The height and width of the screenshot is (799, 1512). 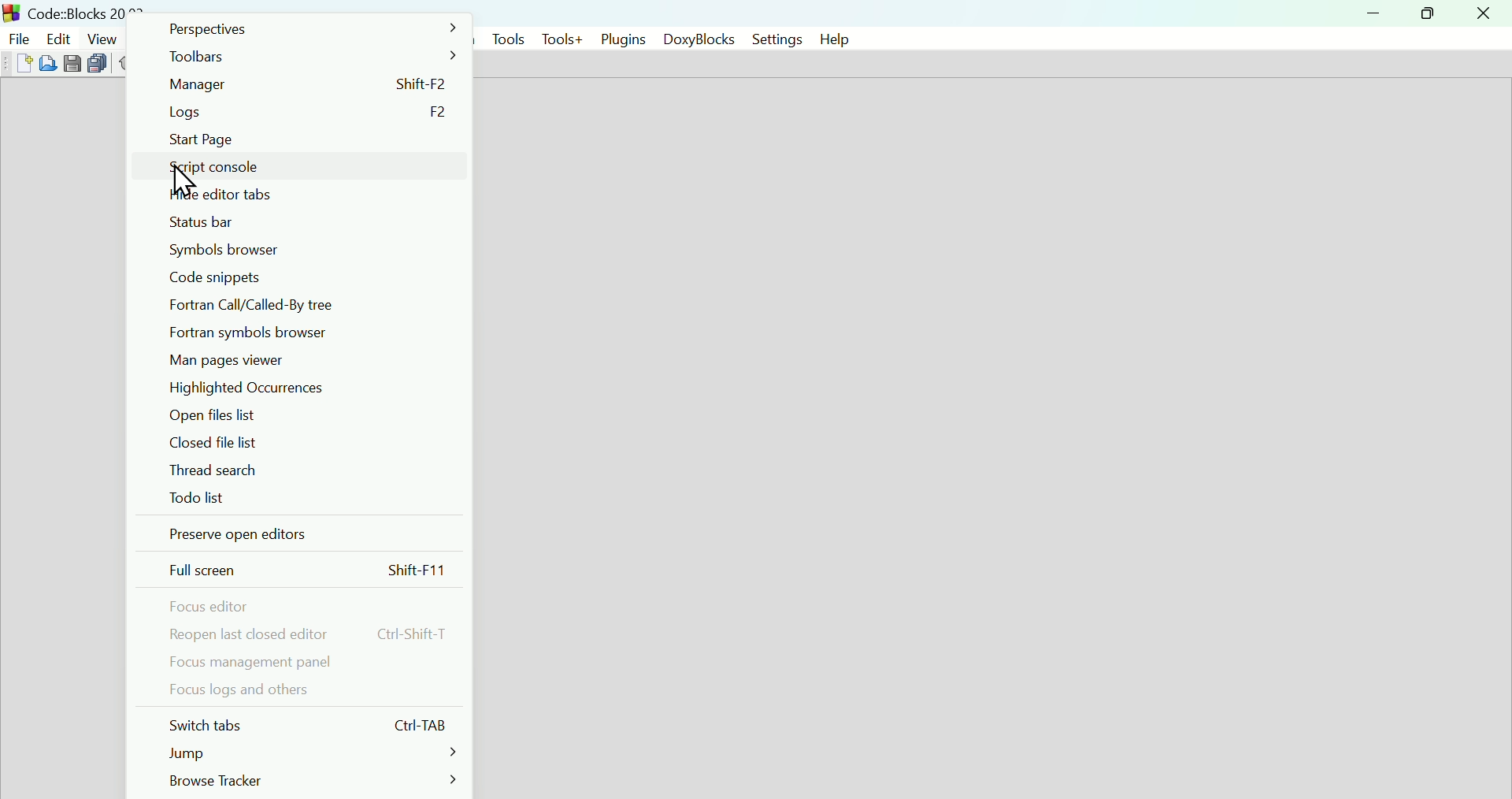 I want to click on Perspectives, so click(x=309, y=28).